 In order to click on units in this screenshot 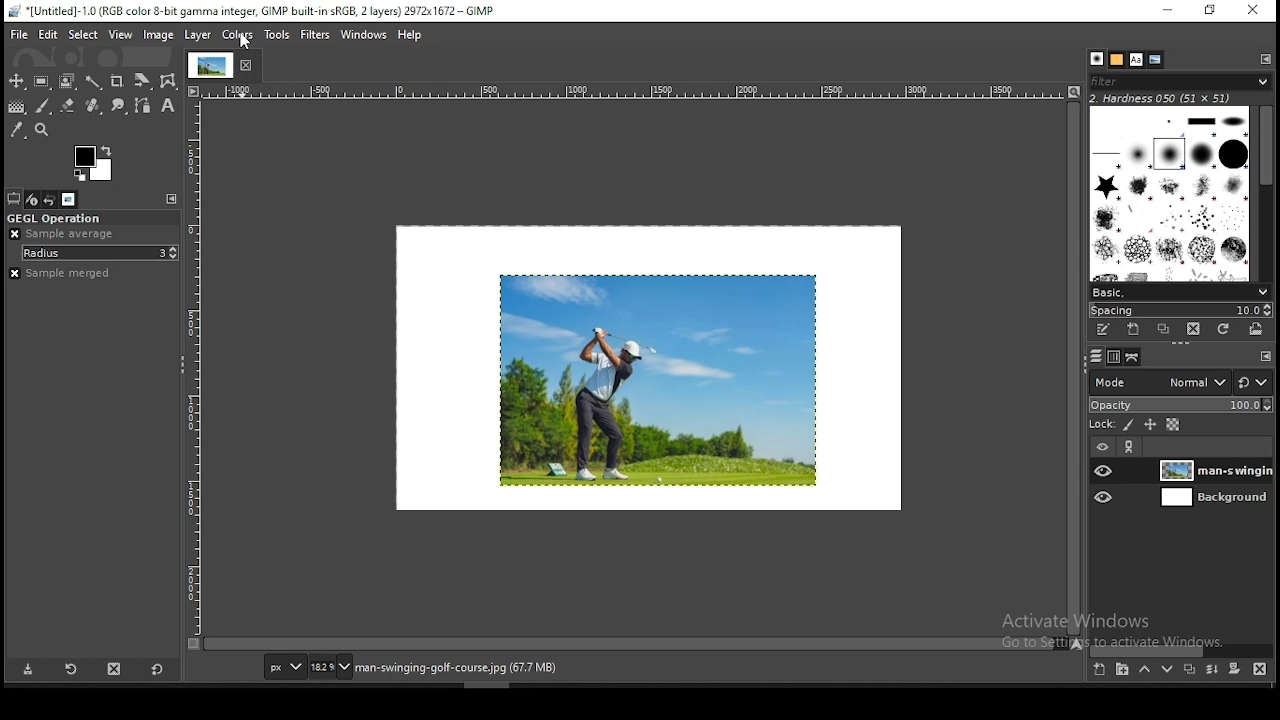, I will do `click(288, 667)`.